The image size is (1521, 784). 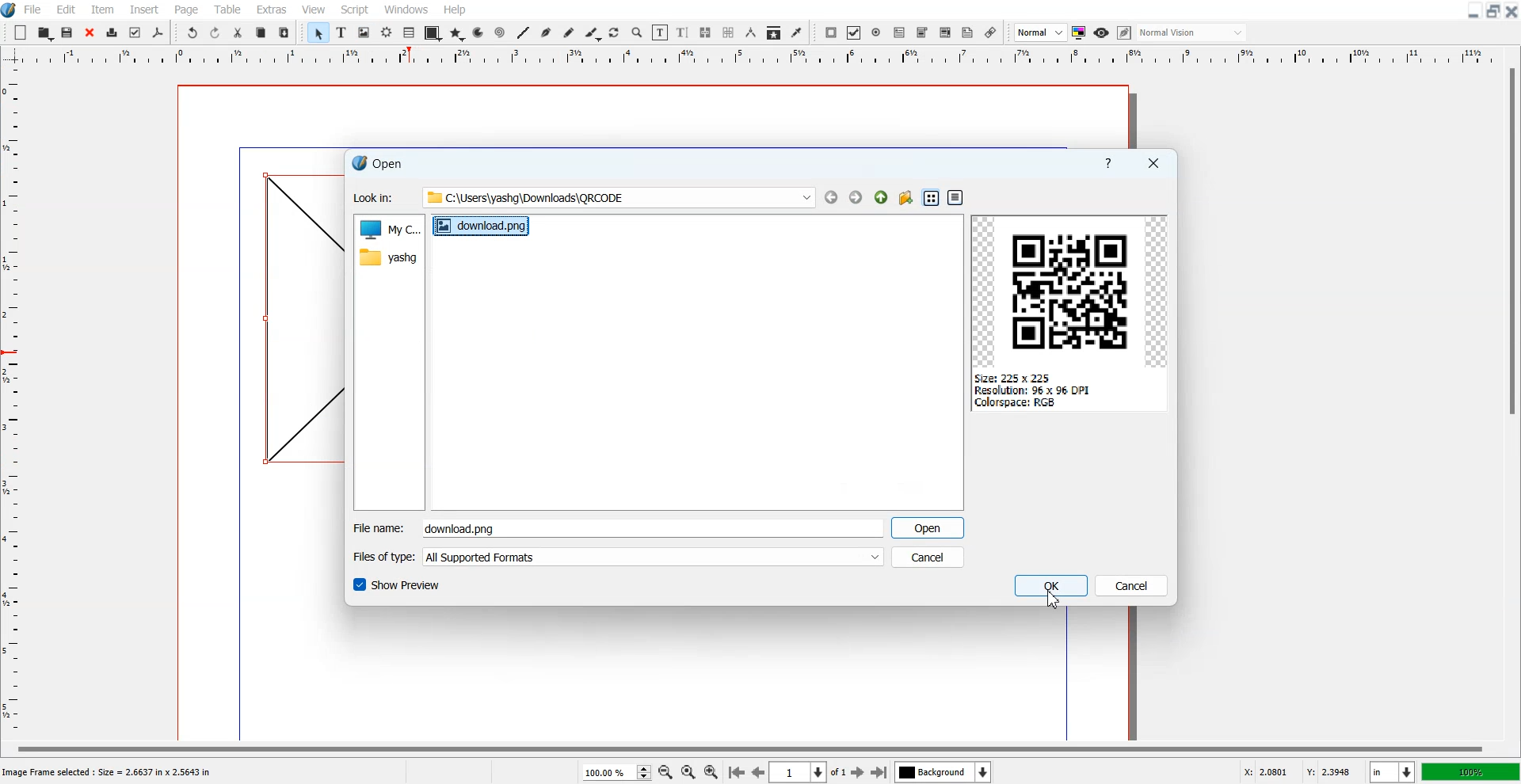 I want to click on Bezier Curve, so click(x=546, y=32).